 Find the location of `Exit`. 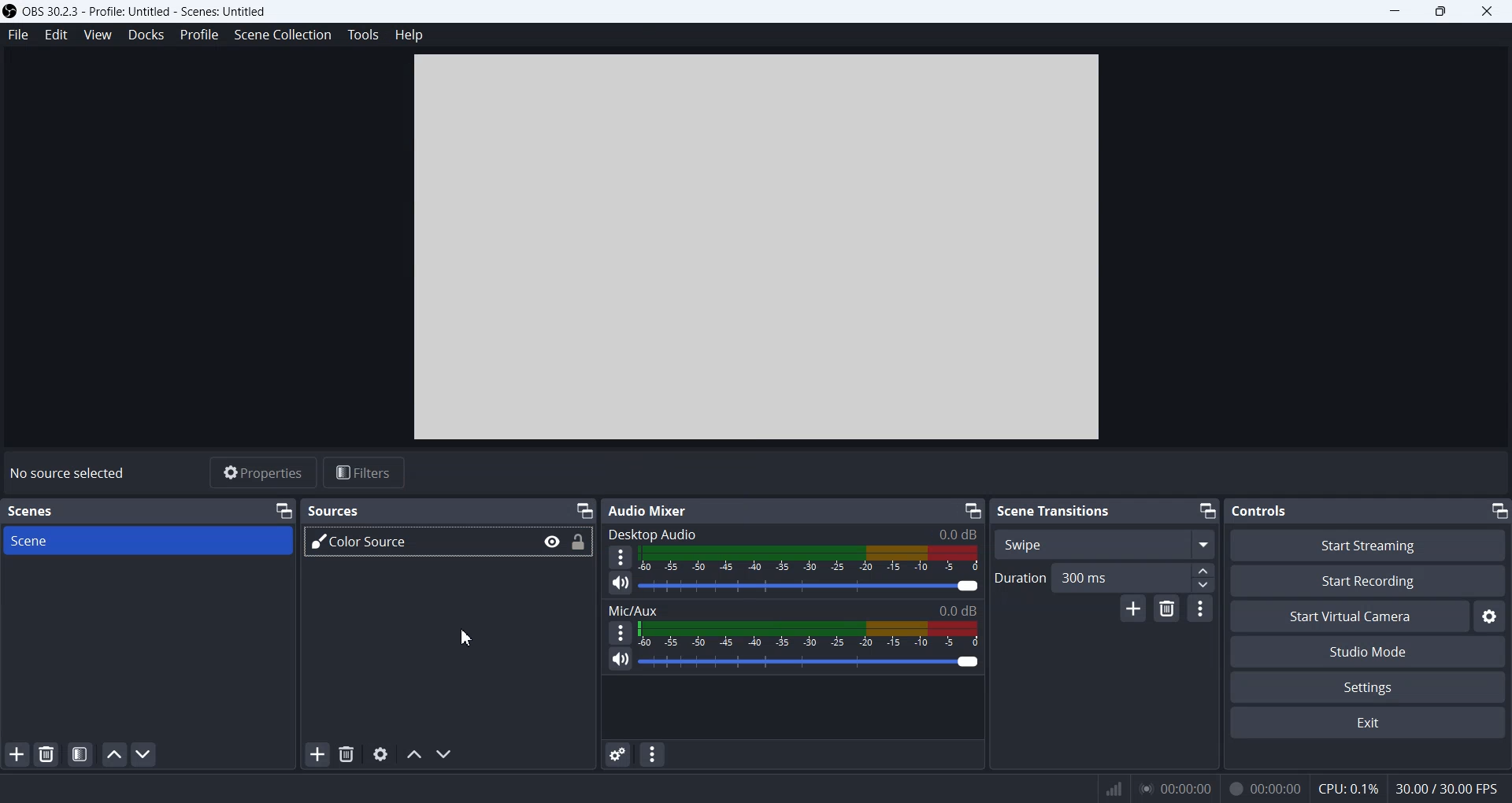

Exit is located at coordinates (1369, 724).